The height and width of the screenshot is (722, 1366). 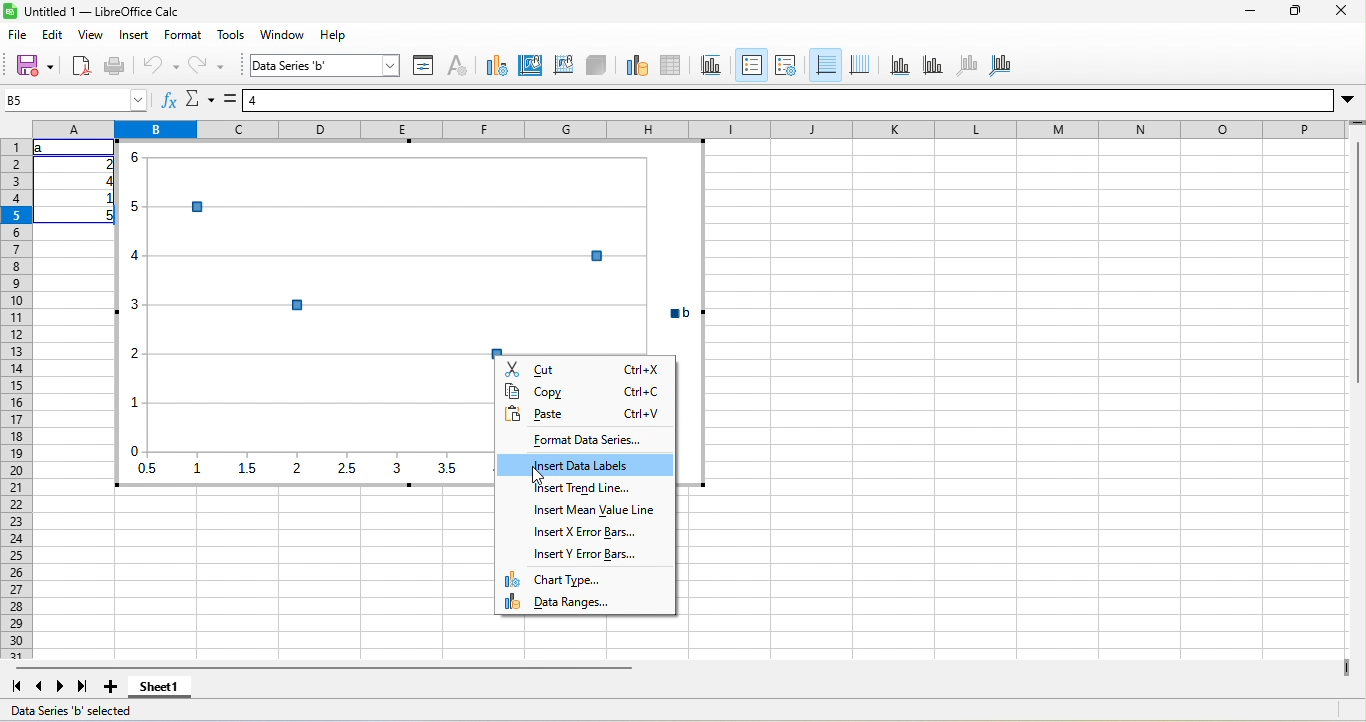 What do you see at coordinates (160, 686) in the screenshot?
I see `sheet1` at bounding box center [160, 686].